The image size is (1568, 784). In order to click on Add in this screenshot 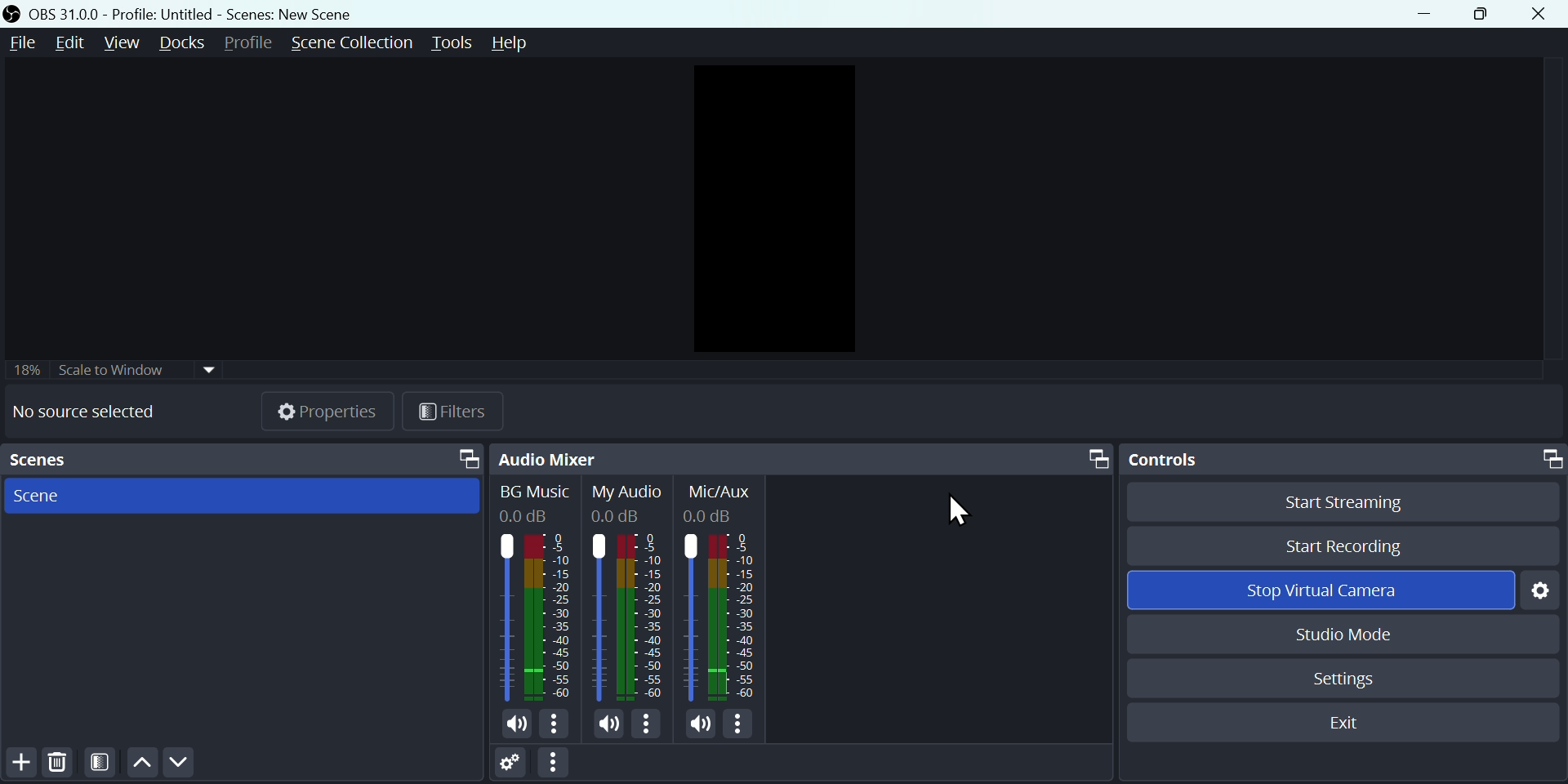, I will do `click(18, 764)`.